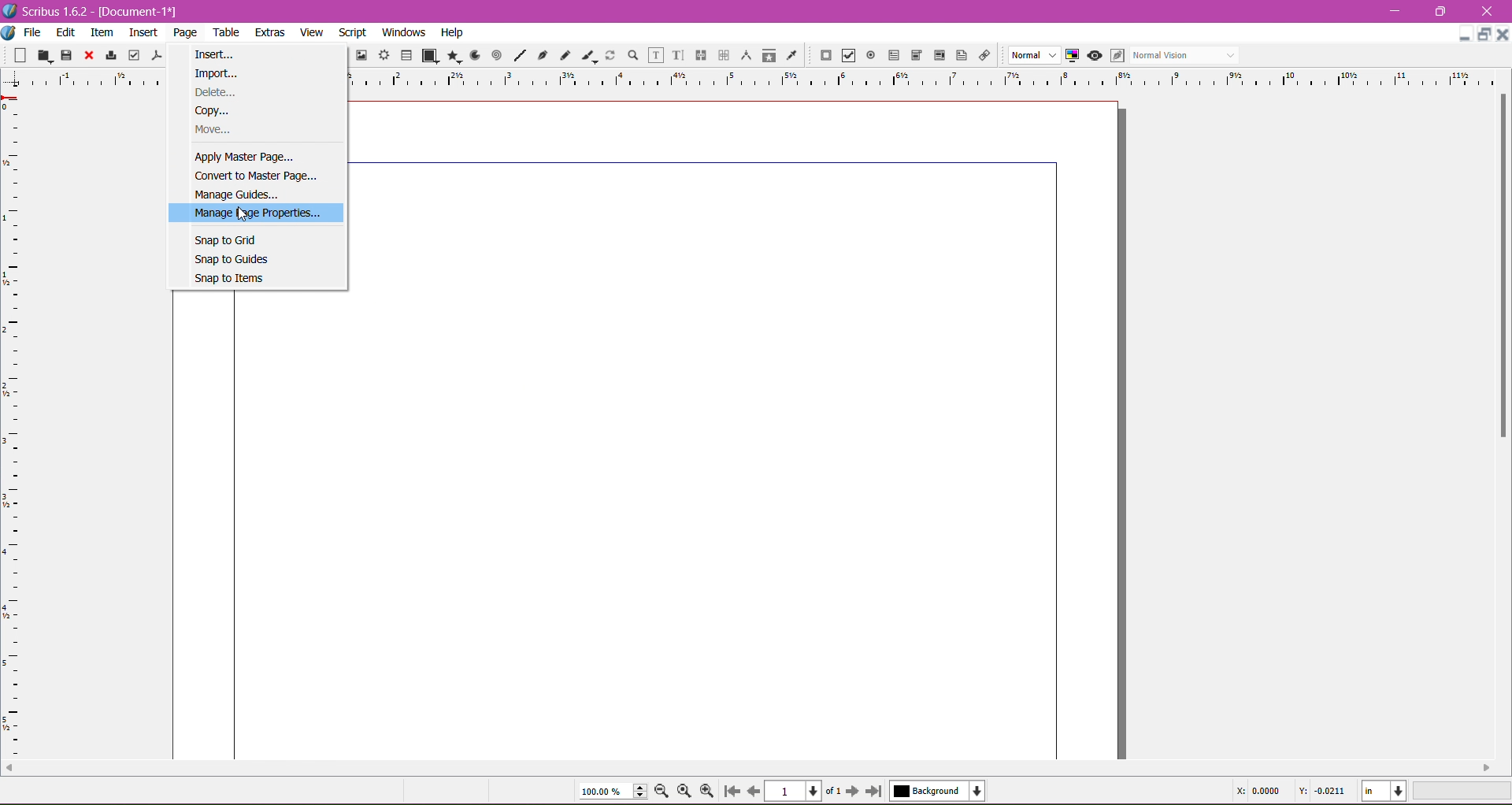 This screenshot has height=805, width=1512. Describe the element at coordinates (255, 158) in the screenshot. I see `Apply Master Page` at that location.